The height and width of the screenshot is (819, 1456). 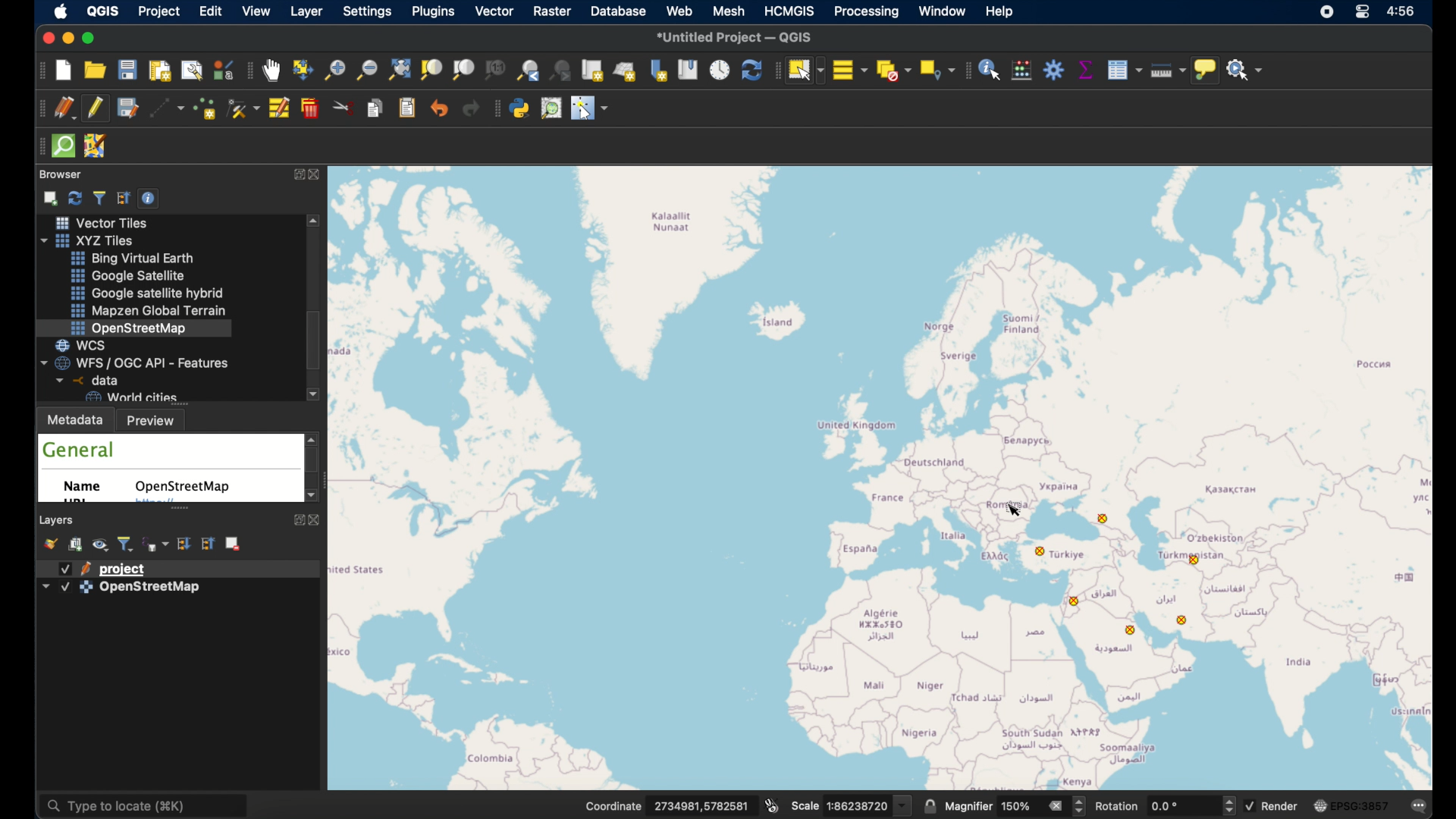 I want to click on google satellite, so click(x=128, y=276).